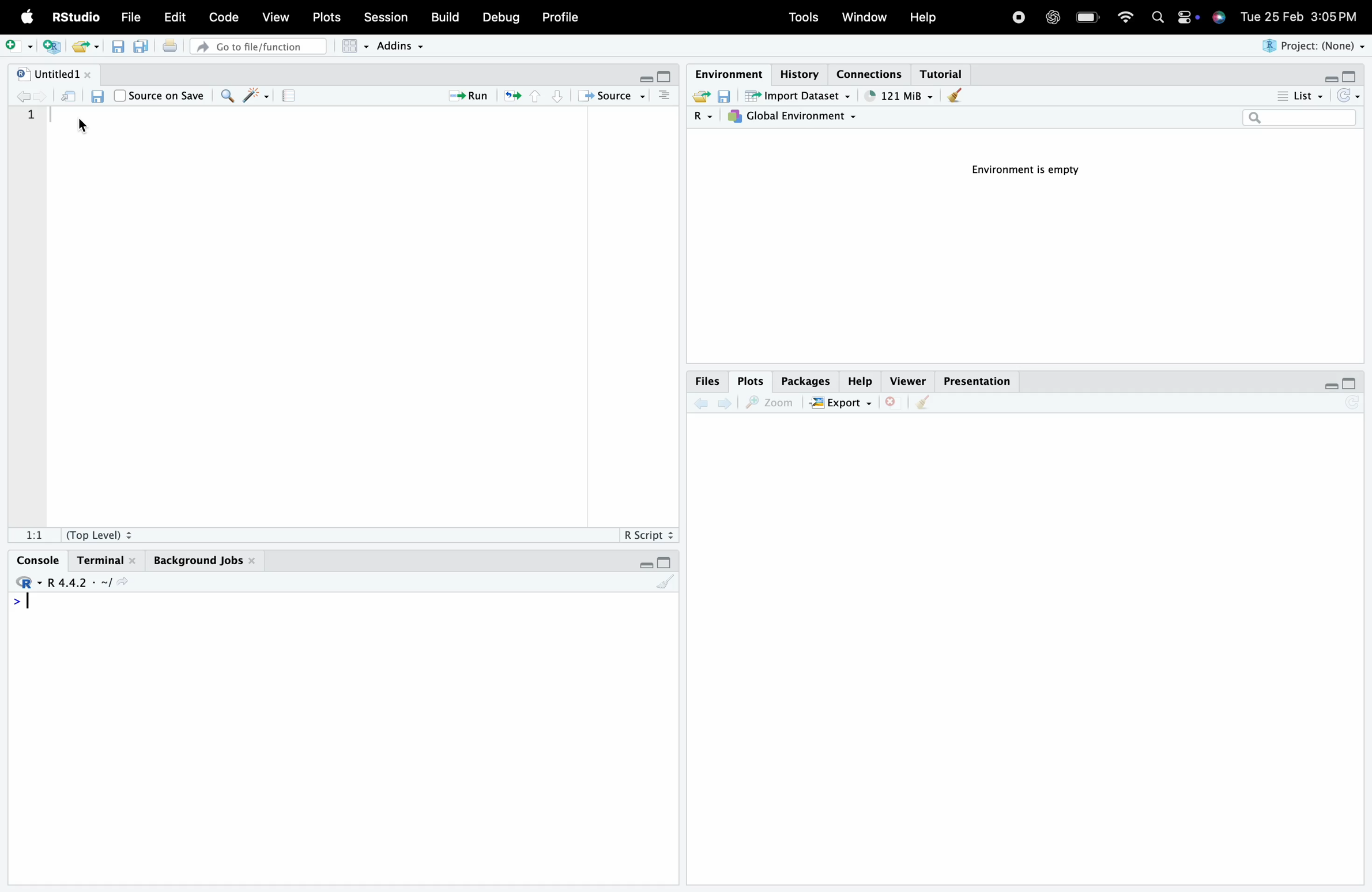 Image resolution: width=1372 pixels, height=892 pixels. Describe the element at coordinates (897, 95) in the screenshot. I see `121kib used by R session (Source: Windows System)` at that location.